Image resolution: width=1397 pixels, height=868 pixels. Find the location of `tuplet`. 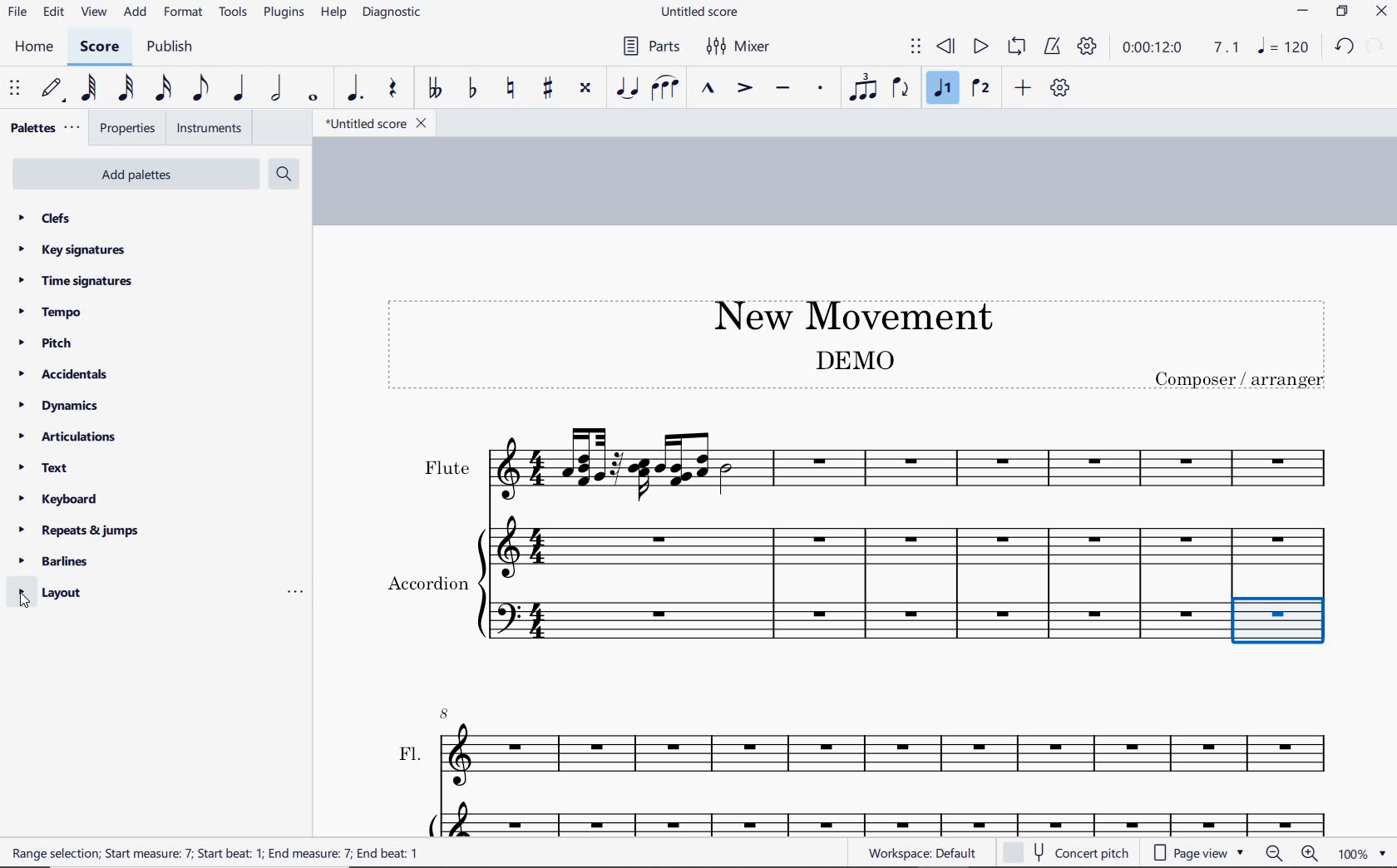

tuplet is located at coordinates (860, 87).